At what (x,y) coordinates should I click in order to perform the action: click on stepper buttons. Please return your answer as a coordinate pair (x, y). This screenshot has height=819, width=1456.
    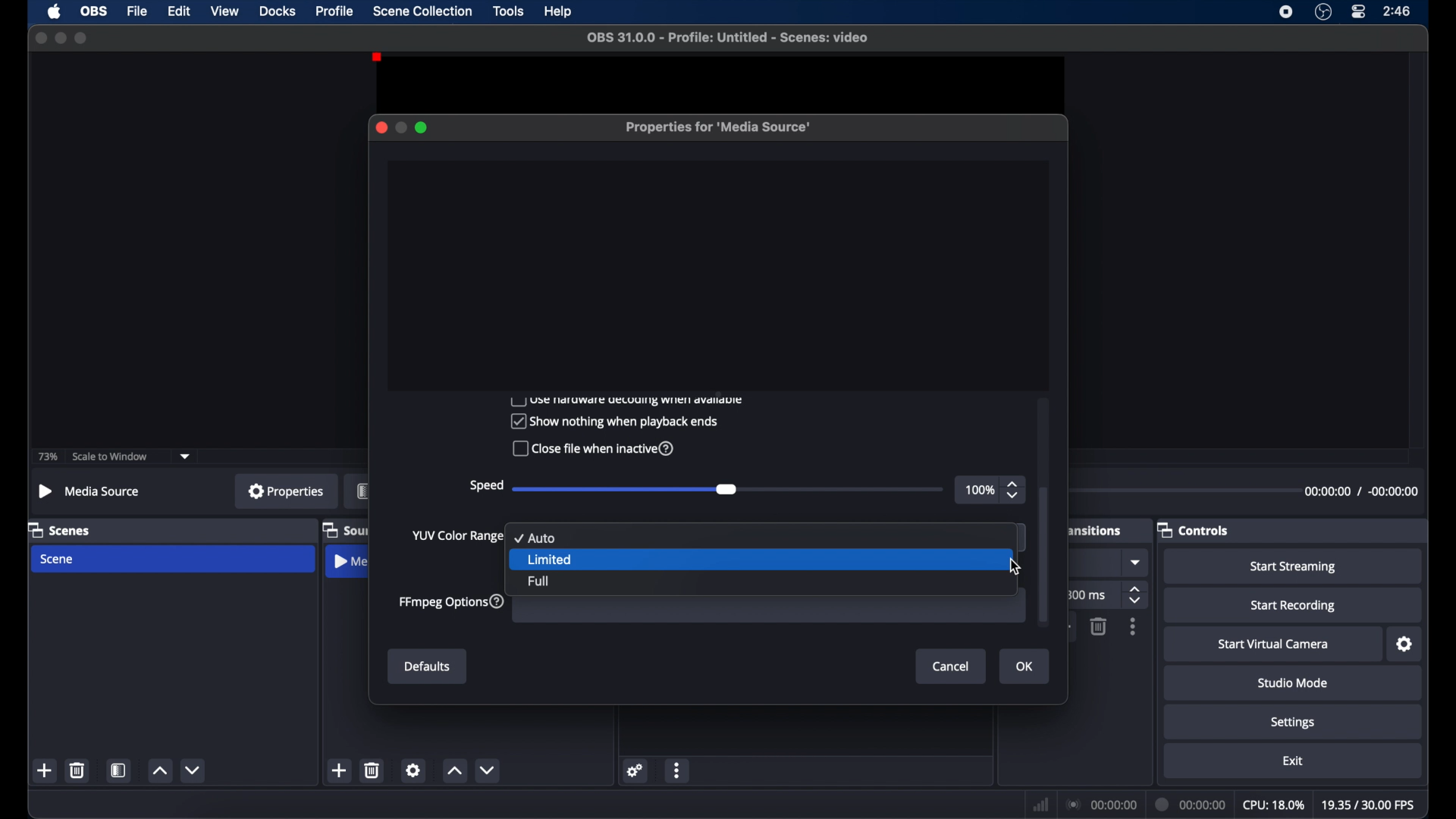
    Looking at the image, I should click on (1137, 596).